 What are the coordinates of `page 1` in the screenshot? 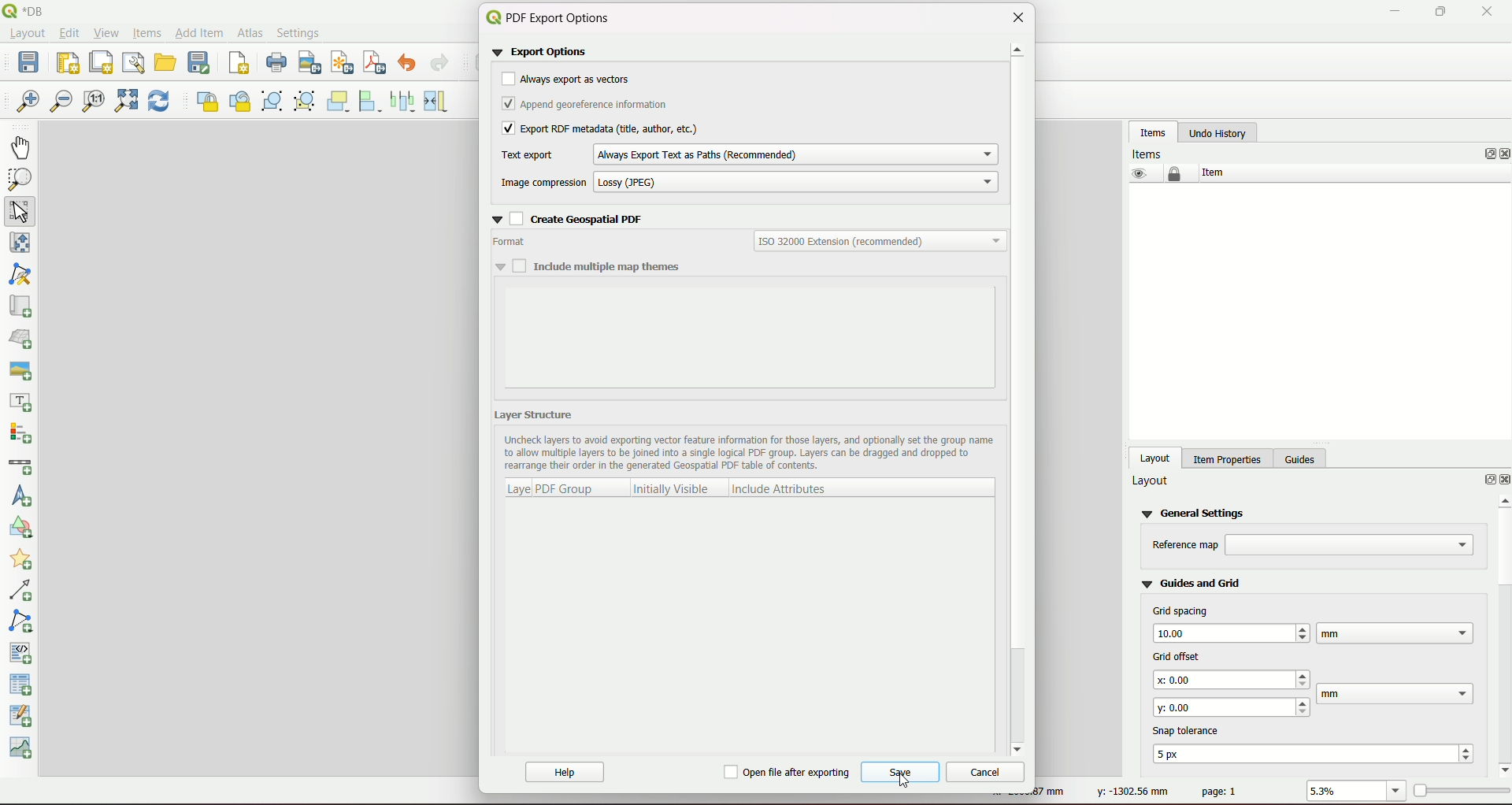 It's located at (1220, 791).